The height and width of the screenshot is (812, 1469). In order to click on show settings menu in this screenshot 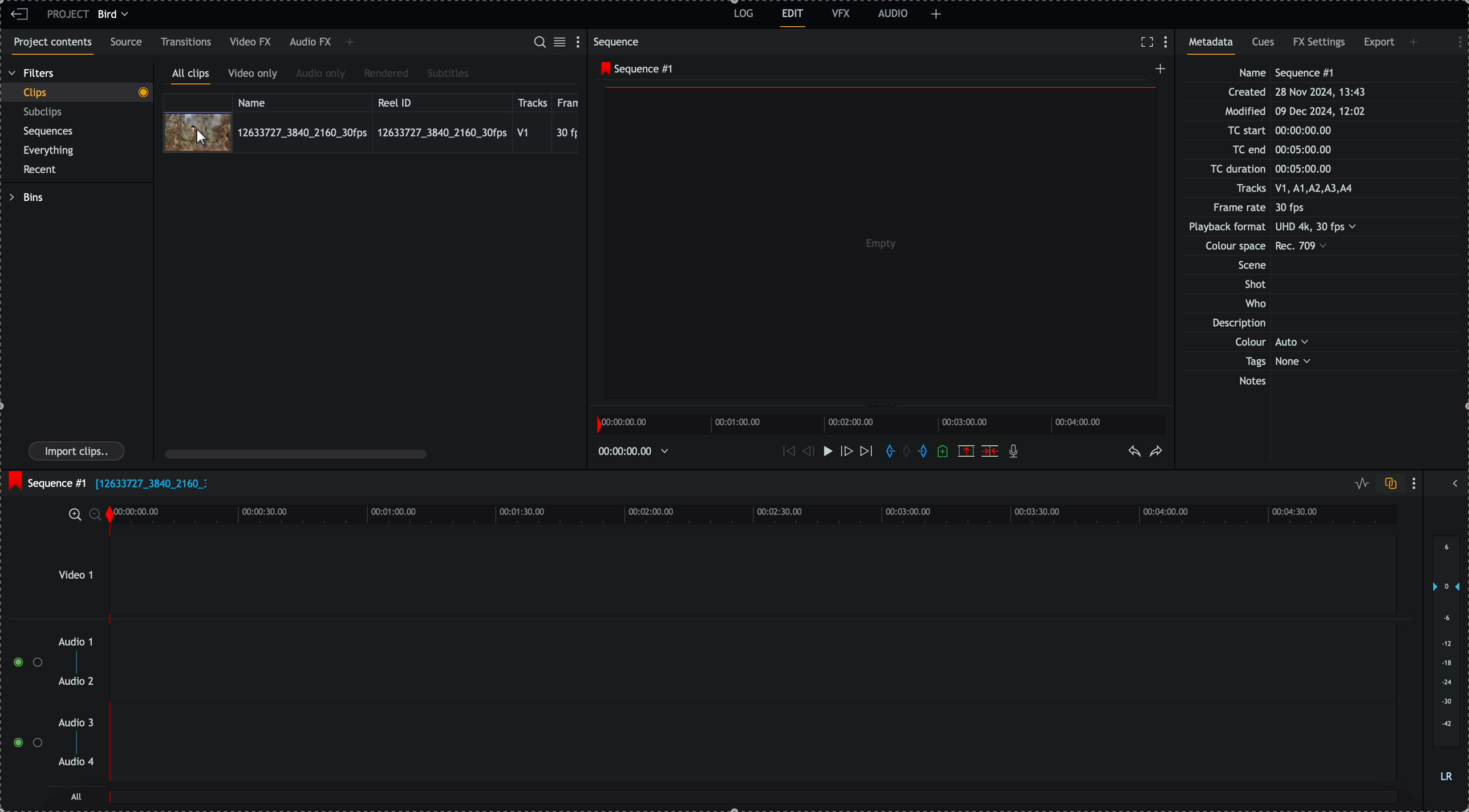, I will do `click(1454, 40)`.